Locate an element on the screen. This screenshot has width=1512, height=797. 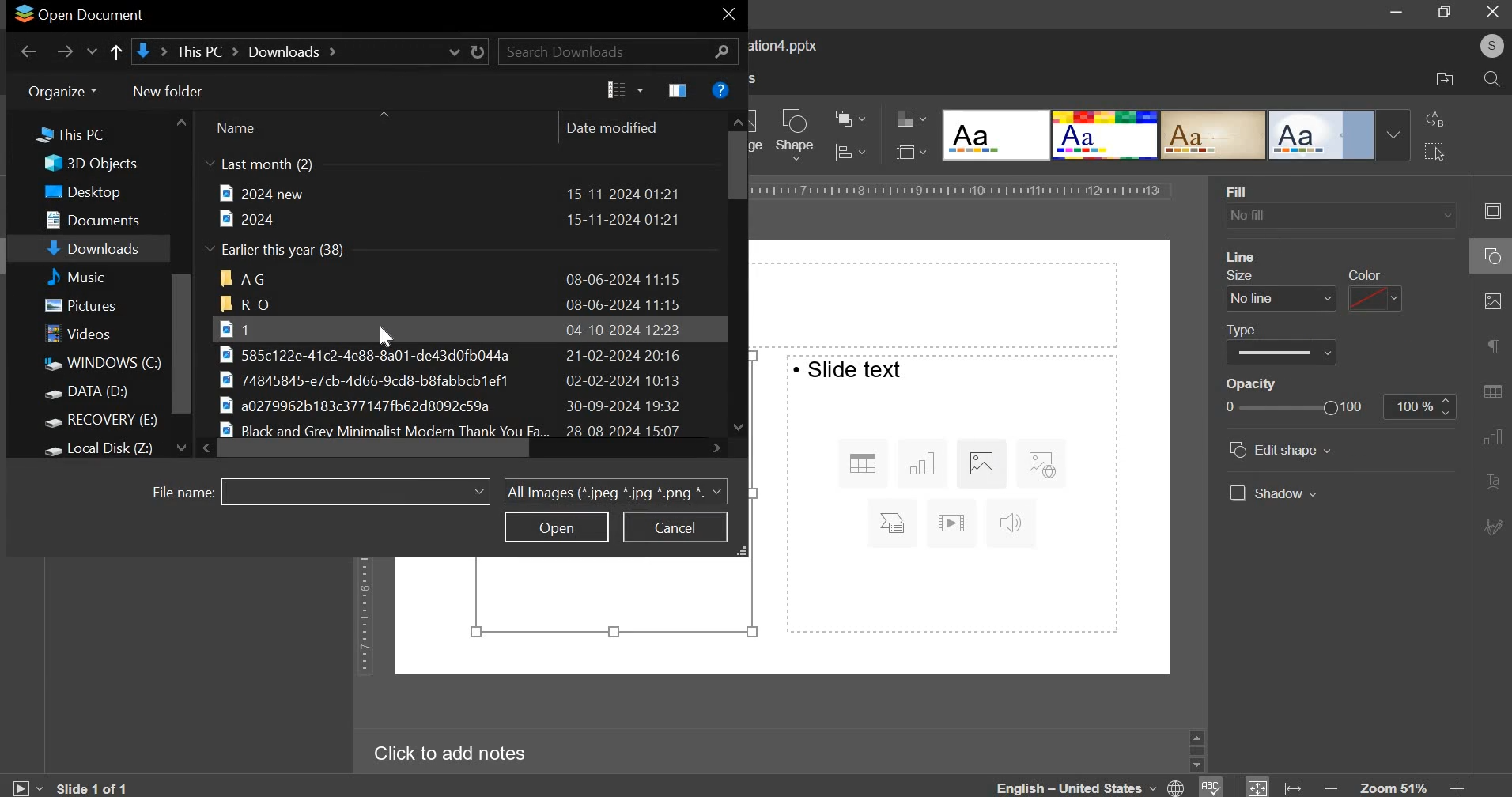
current slide number is located at coordinates (96, 788).